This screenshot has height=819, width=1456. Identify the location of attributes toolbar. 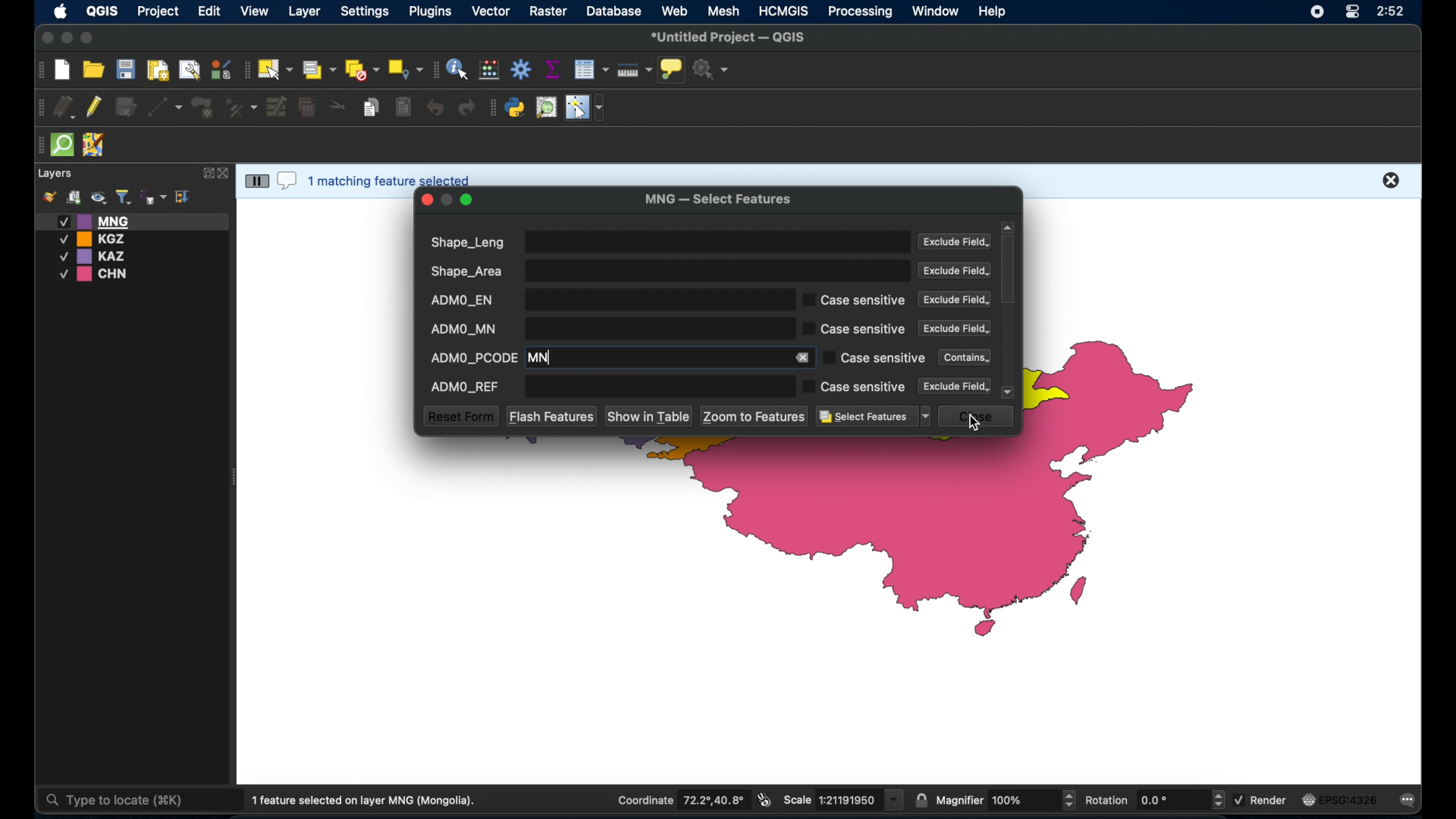
(435, 70).